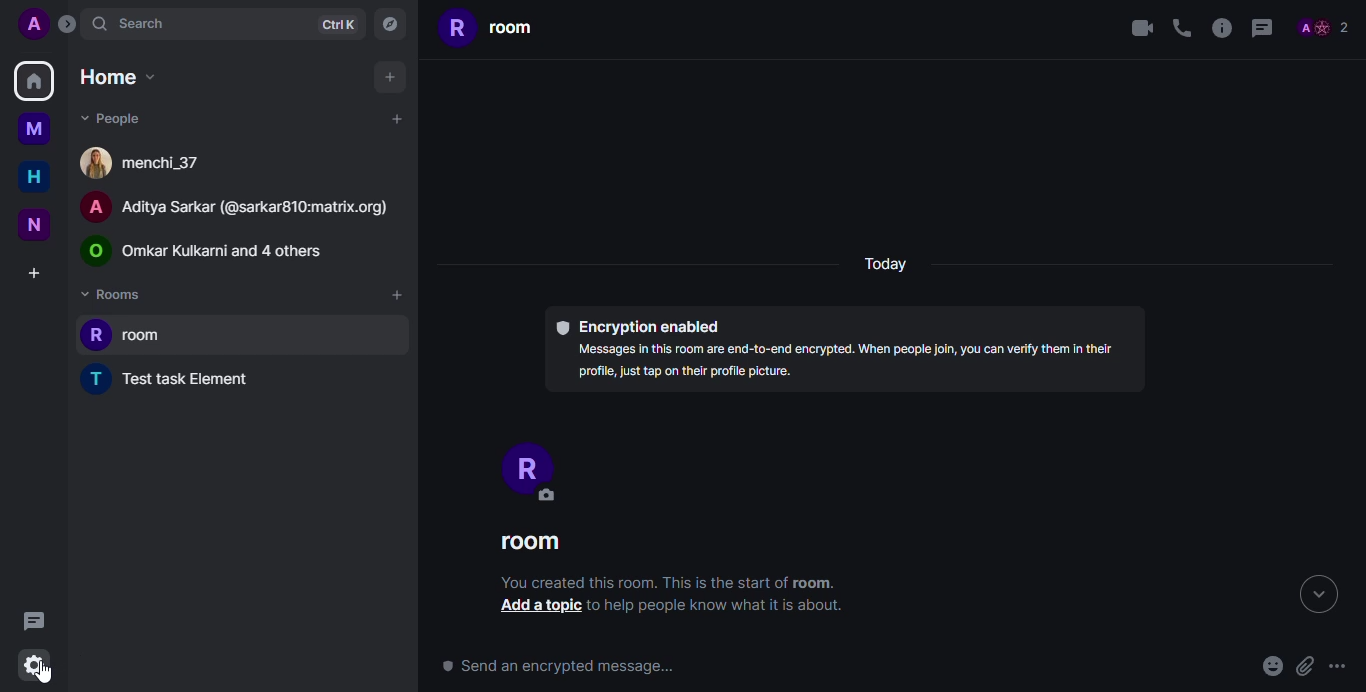 The width and height of the screenshot is (1366, 692). Describe the element at coordinates (1218, 29) in the screenshot. I see `info` at that location.